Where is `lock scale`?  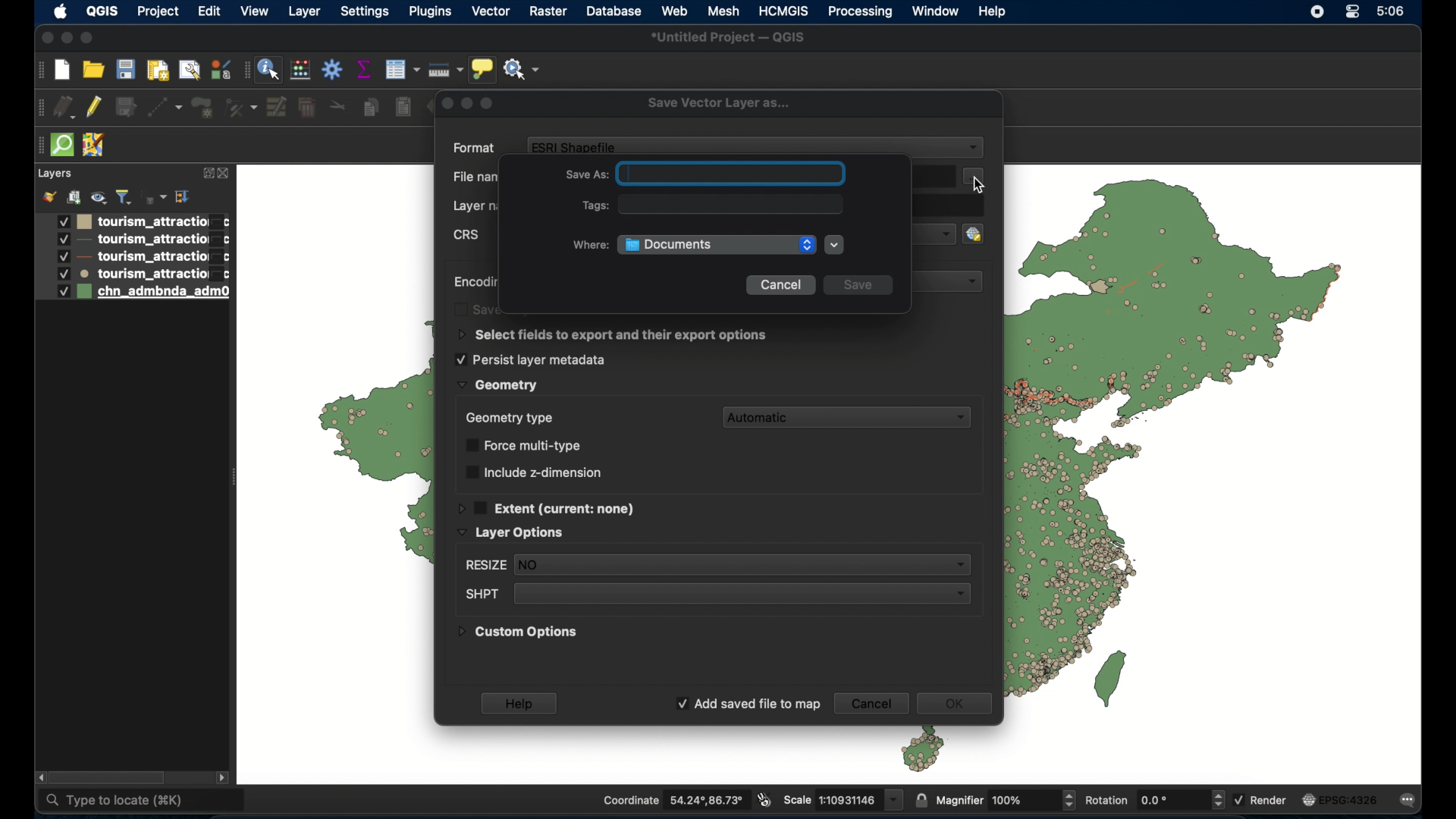
lock scale is located at coordinates (921, 798).